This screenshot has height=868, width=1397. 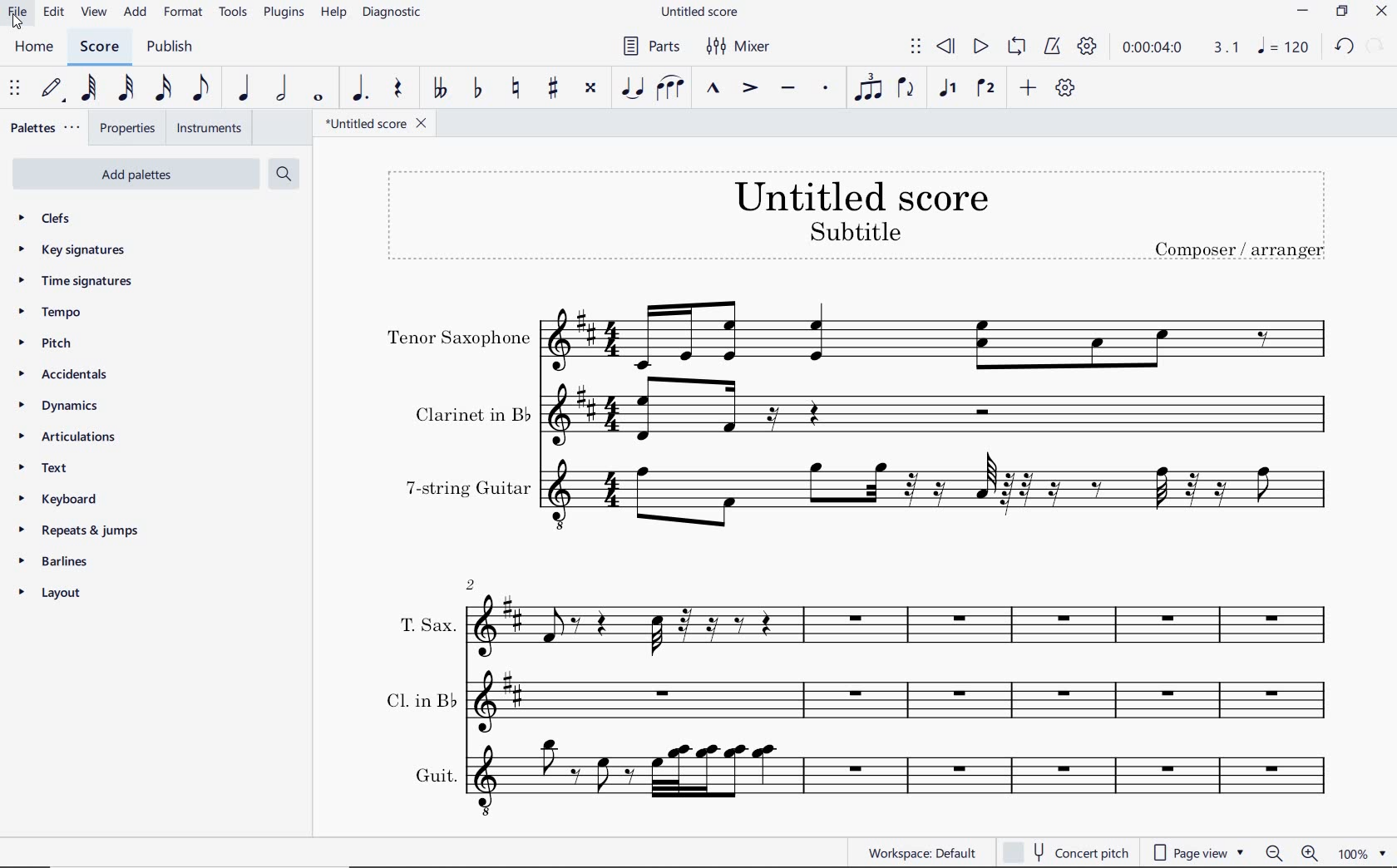 What do you see at coordinates (82, 530) in the screenshot?
I see `repeats & jumps` at bounding box center [82, 530].